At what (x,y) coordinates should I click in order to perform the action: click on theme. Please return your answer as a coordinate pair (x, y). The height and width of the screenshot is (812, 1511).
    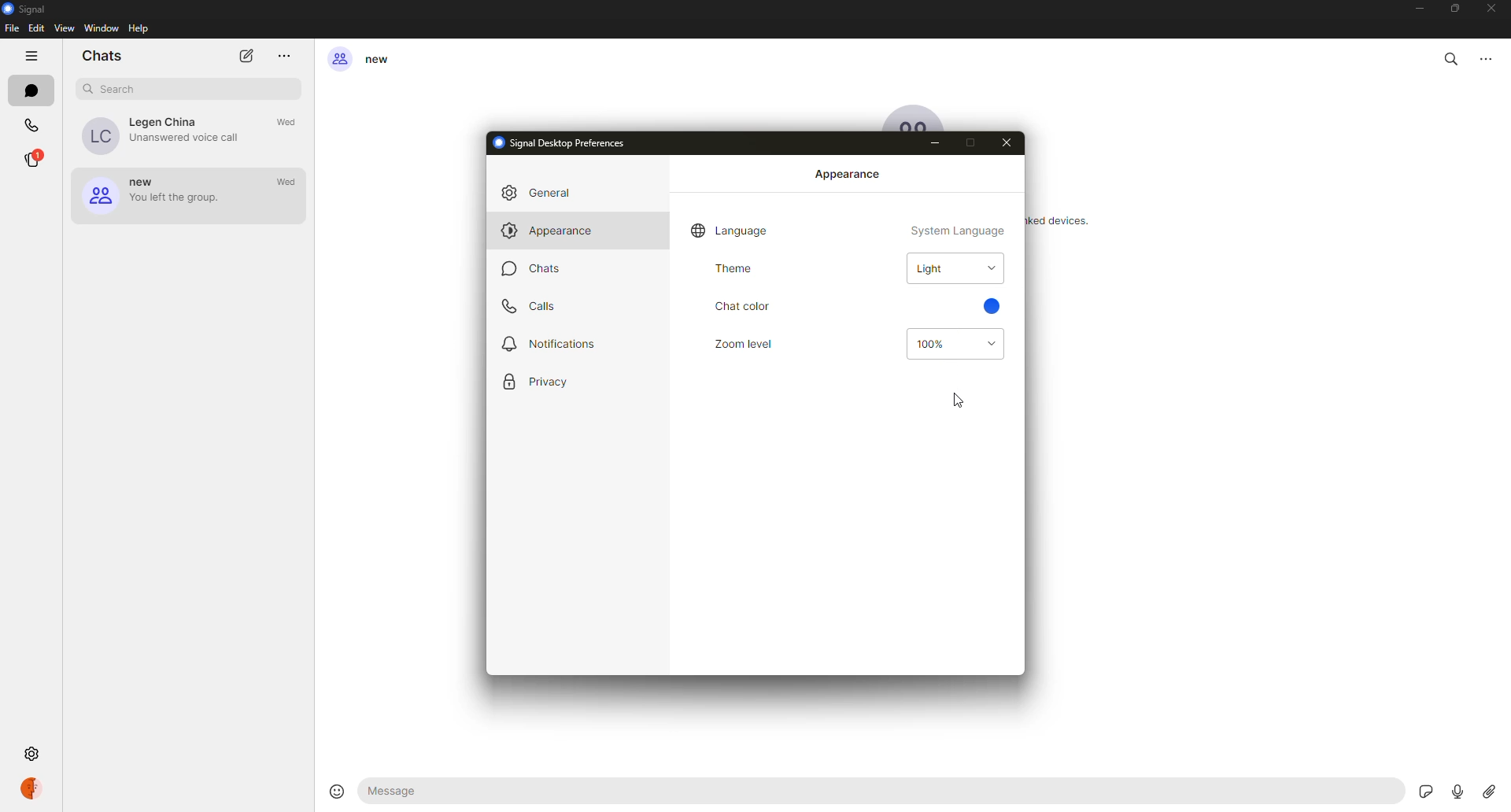
    Looking at the image, I should click on (741, 269).